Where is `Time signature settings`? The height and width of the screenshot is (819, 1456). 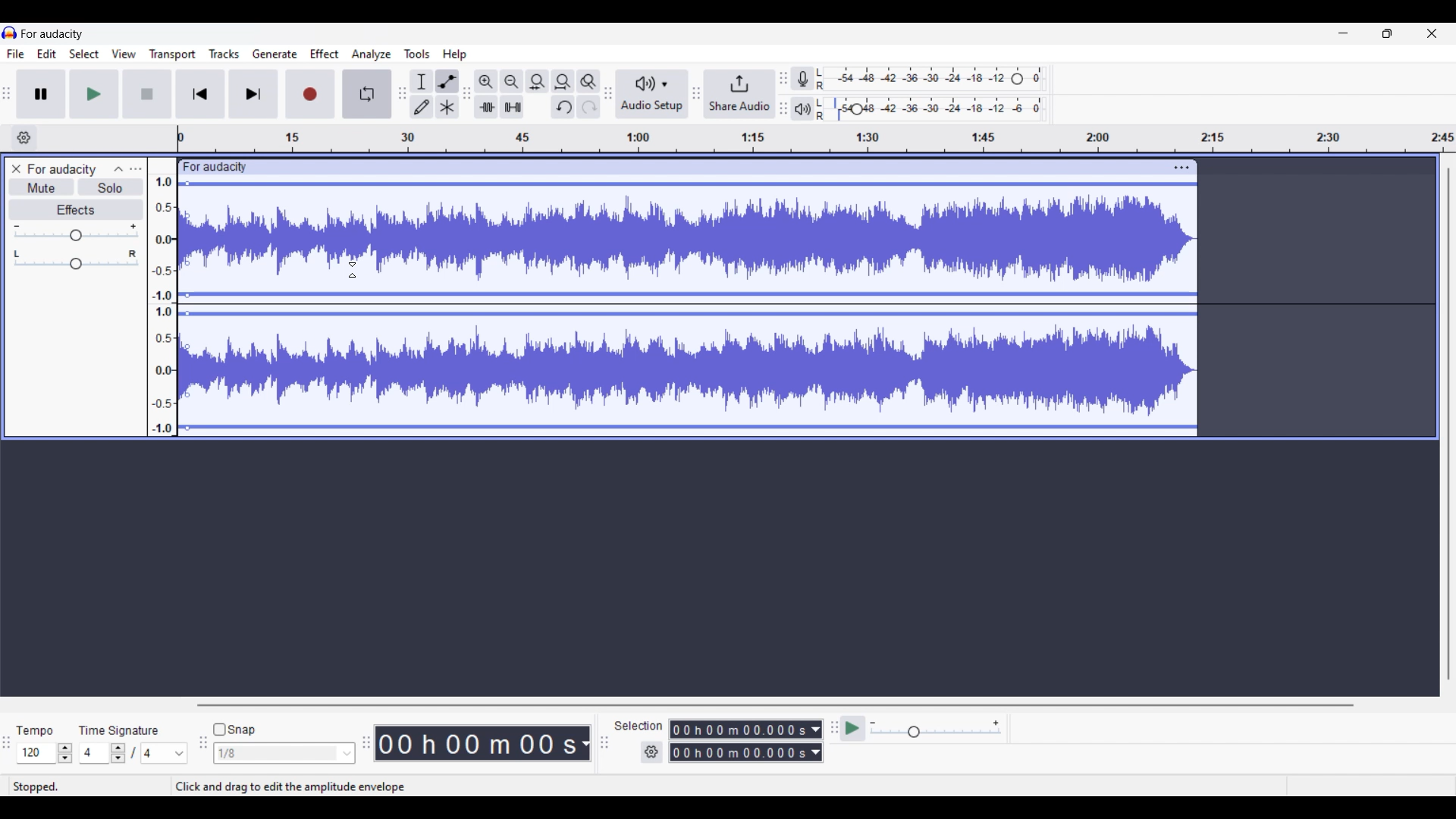 Time signature settings is located at coordinates (134, 754).